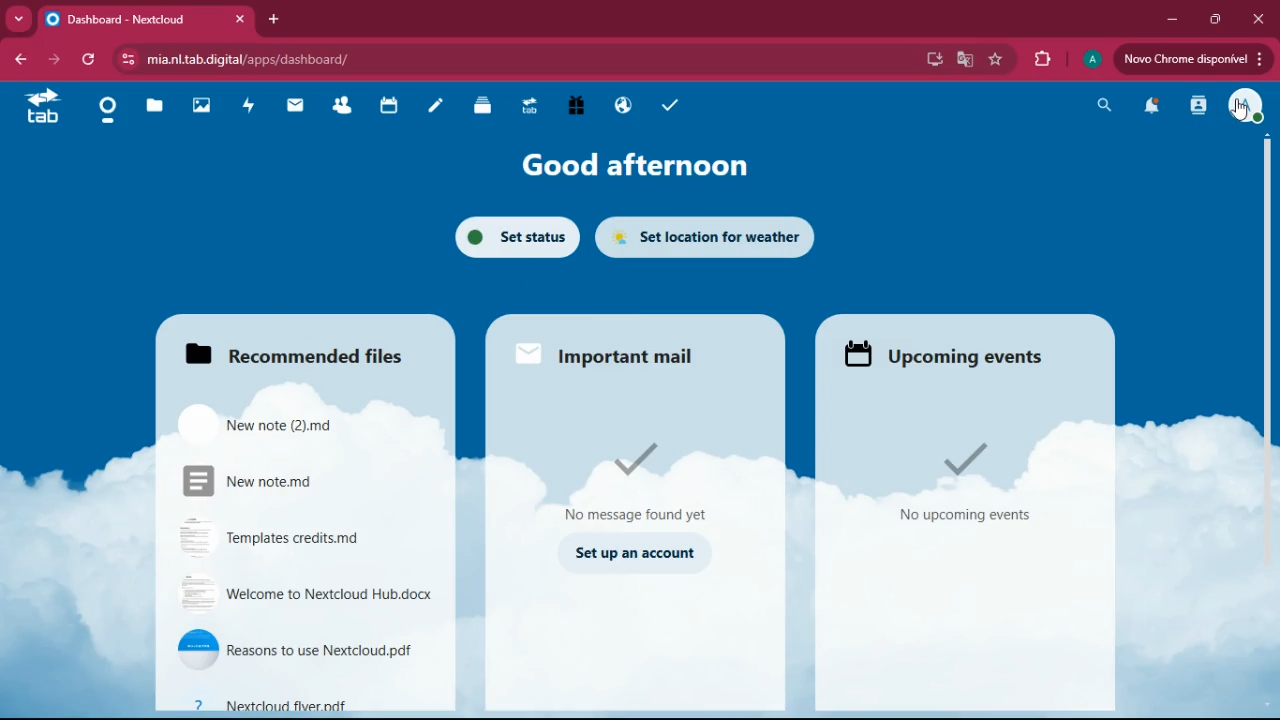  What do you see at coordinates (634, 165) in the screenshot?
I see `good afternoon` at bounding box center [634, 165].